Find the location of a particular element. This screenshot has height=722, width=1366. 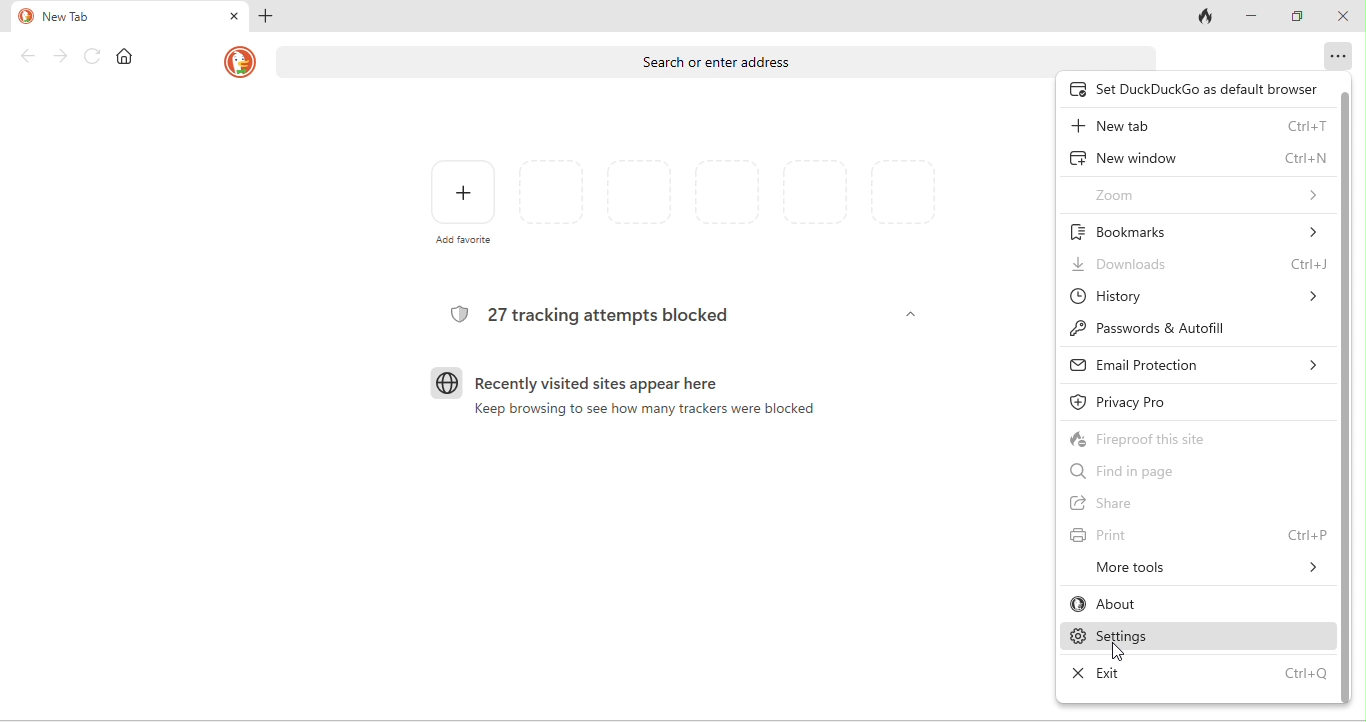

set duck duck go as default browser is located at coordinates (1192, 89).